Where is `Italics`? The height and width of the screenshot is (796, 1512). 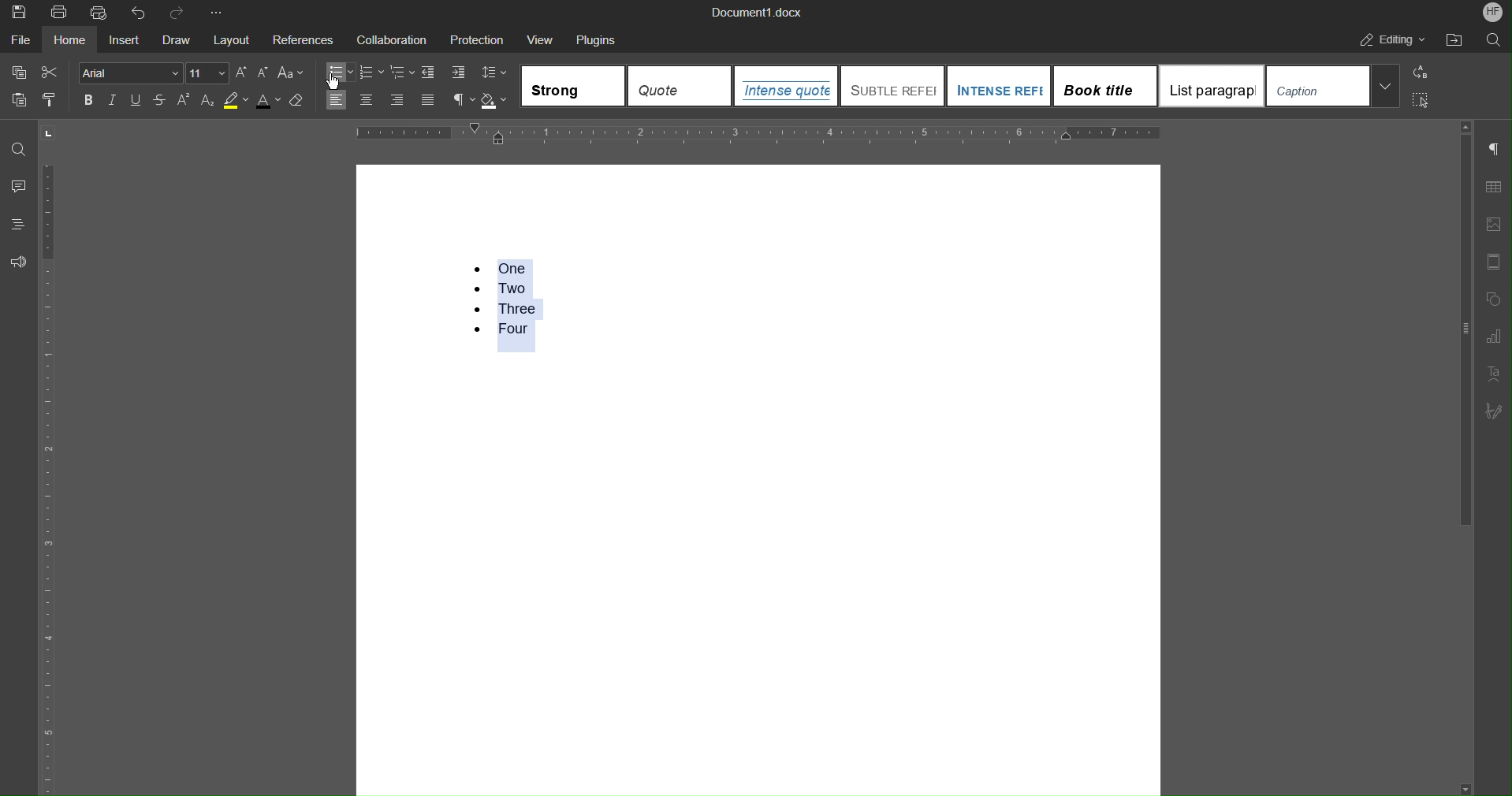 Italics is located at coordinates (111, 101).